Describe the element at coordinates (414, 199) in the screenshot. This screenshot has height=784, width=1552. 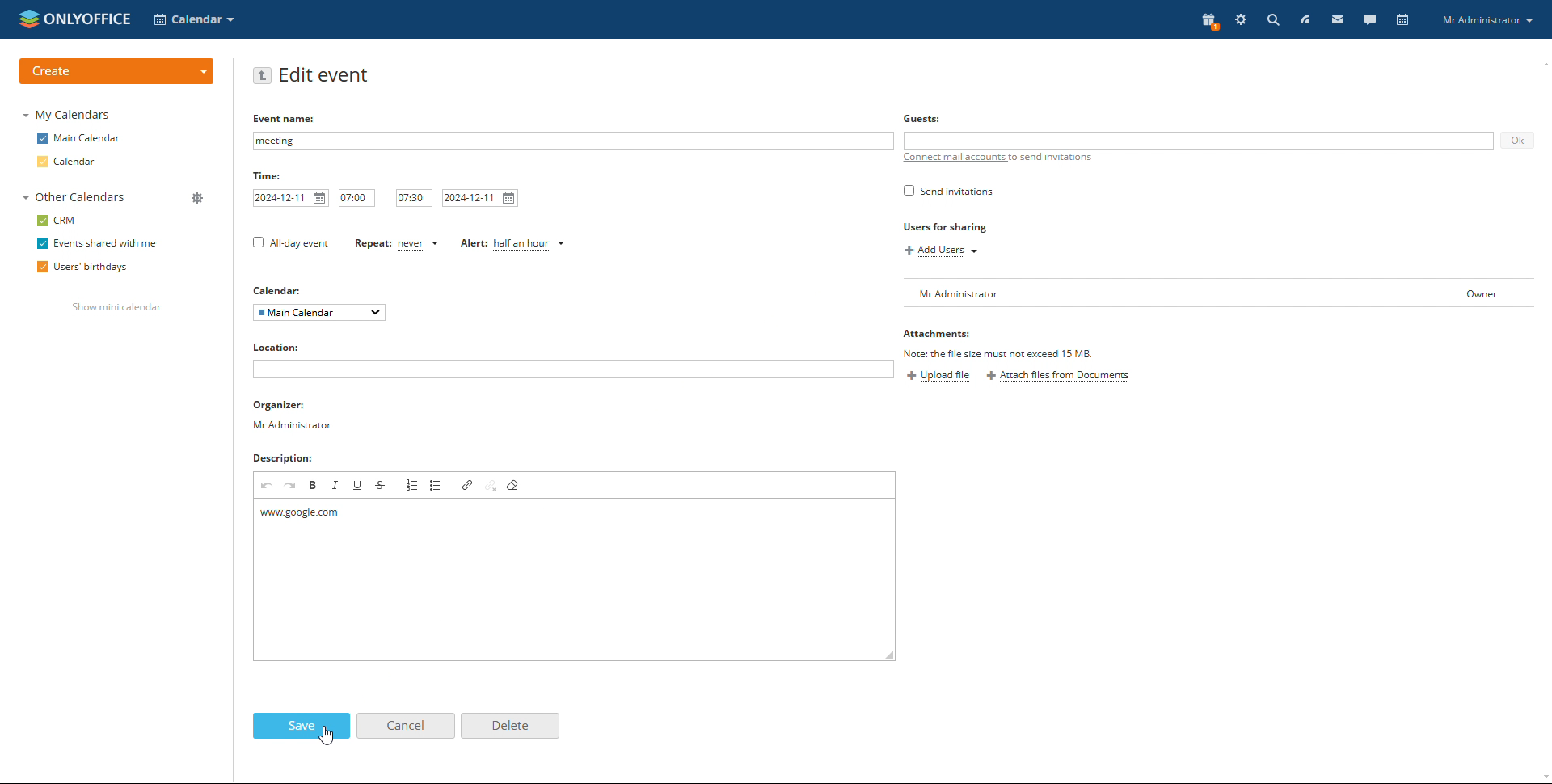
I see `end time` at that location.